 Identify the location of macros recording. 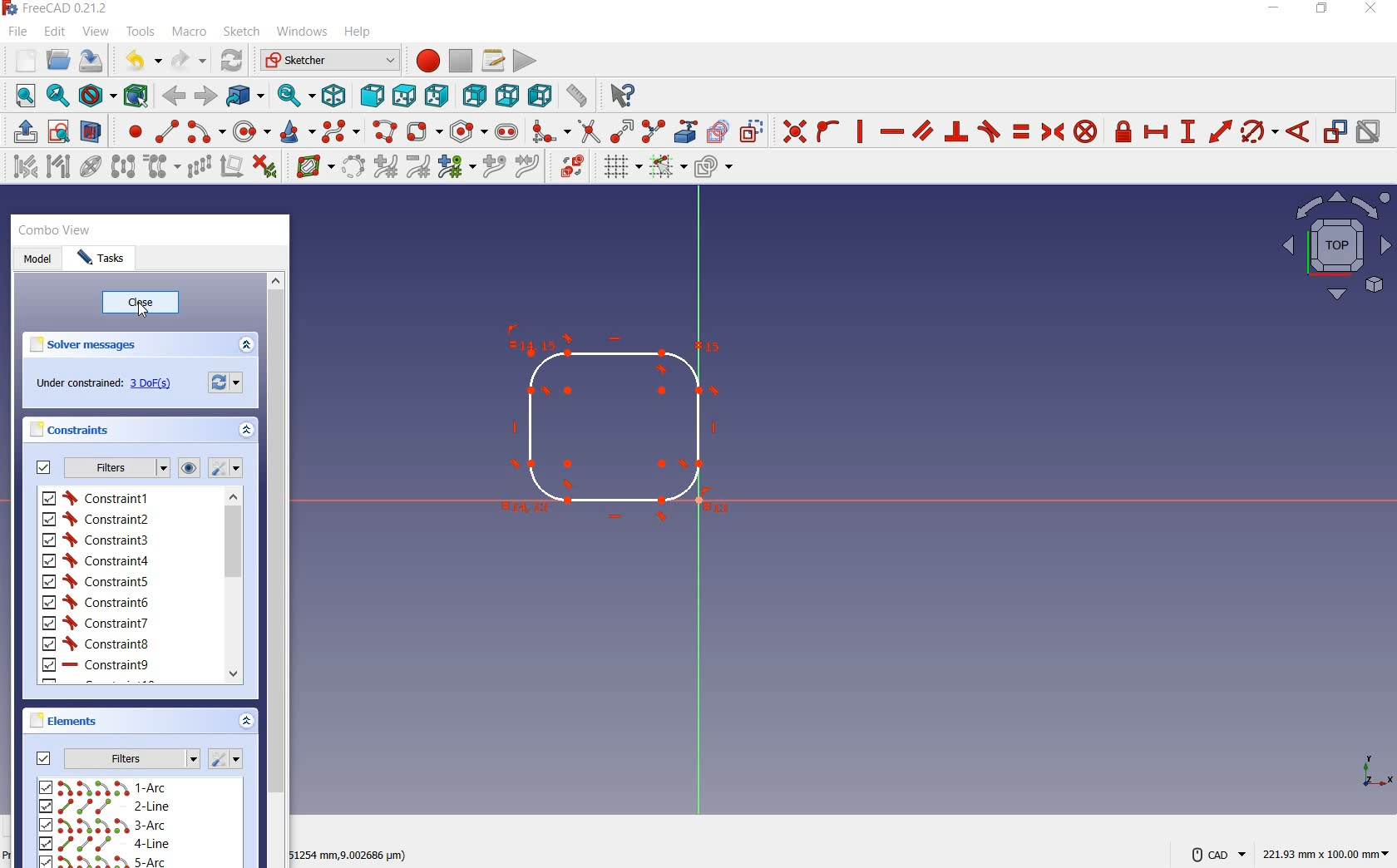
(424, 60).